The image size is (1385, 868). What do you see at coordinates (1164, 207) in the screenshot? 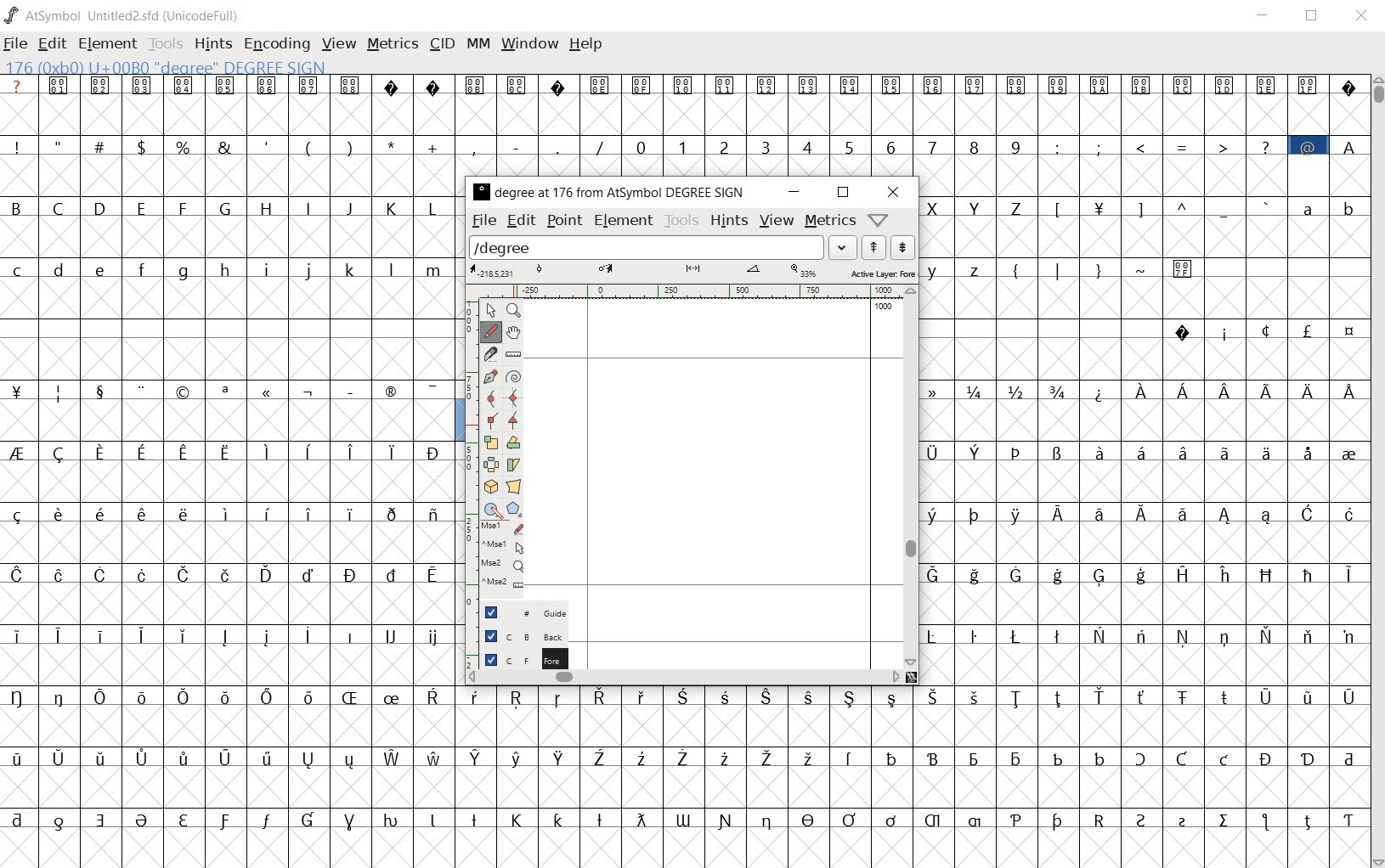
I see `special characters` at bounding box center [1164, 207].